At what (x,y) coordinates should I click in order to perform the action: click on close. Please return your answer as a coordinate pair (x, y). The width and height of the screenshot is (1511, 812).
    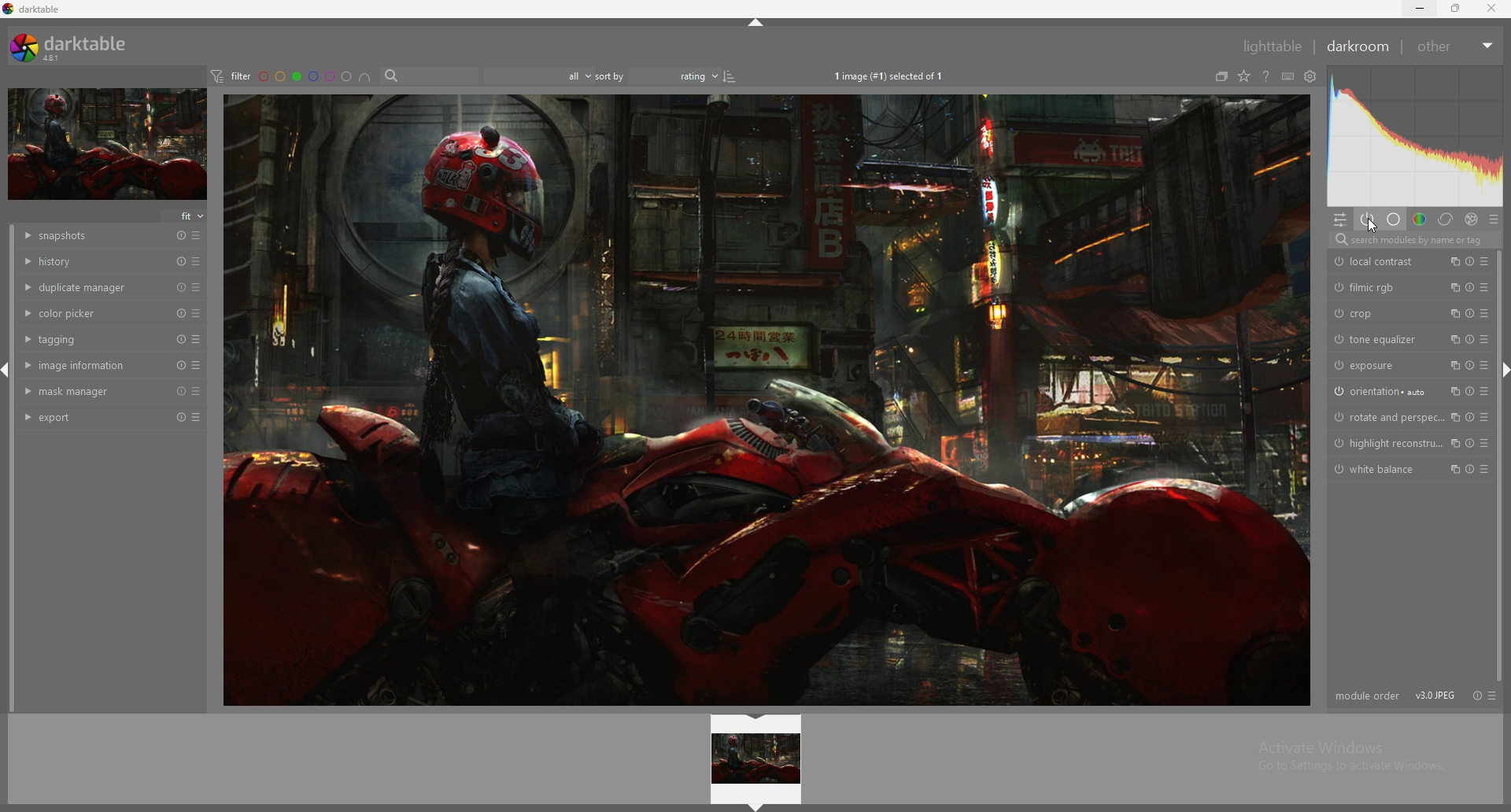
    Looking at the image, I should click on (1491, 9).